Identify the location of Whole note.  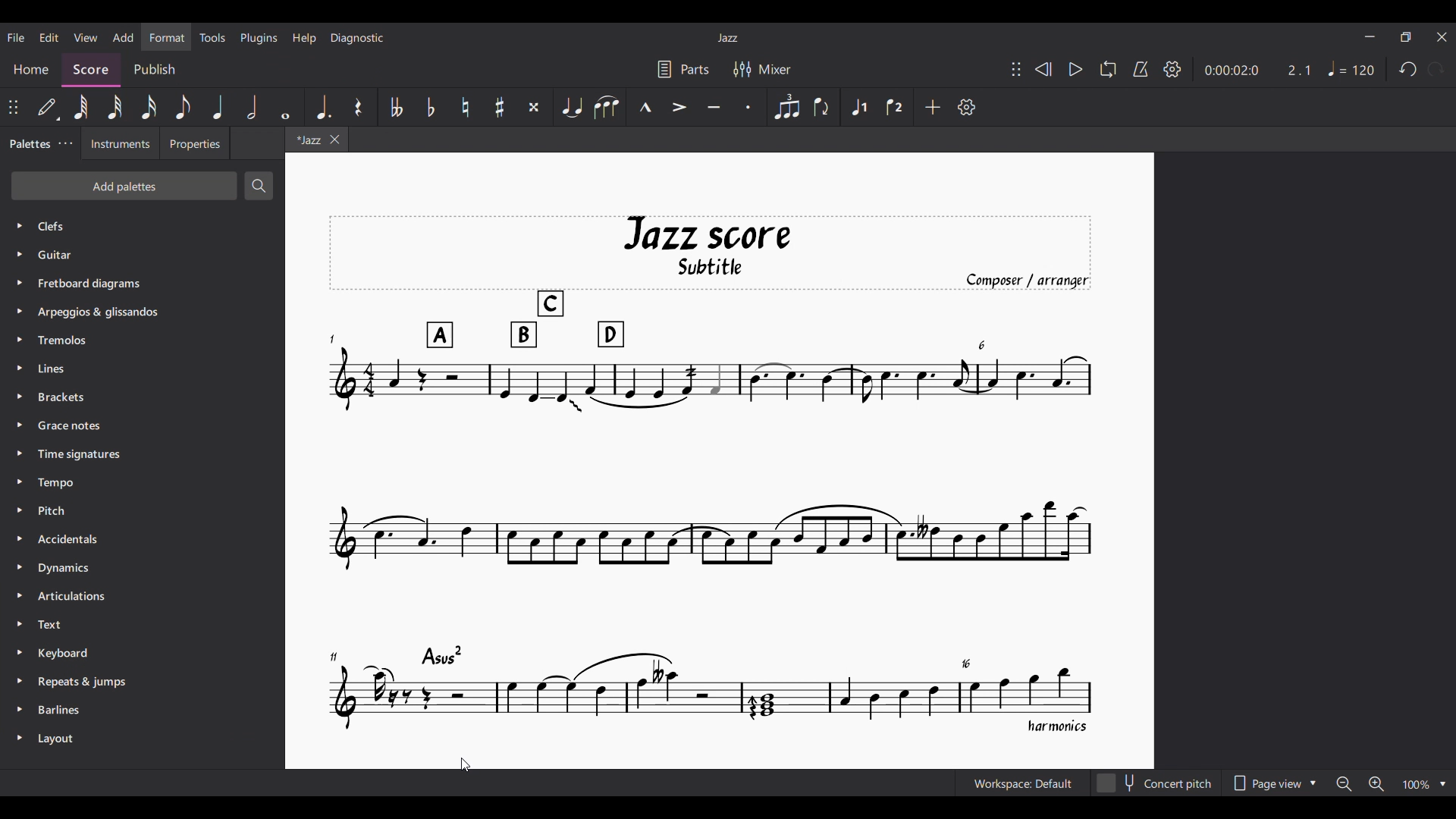
(287, 106).